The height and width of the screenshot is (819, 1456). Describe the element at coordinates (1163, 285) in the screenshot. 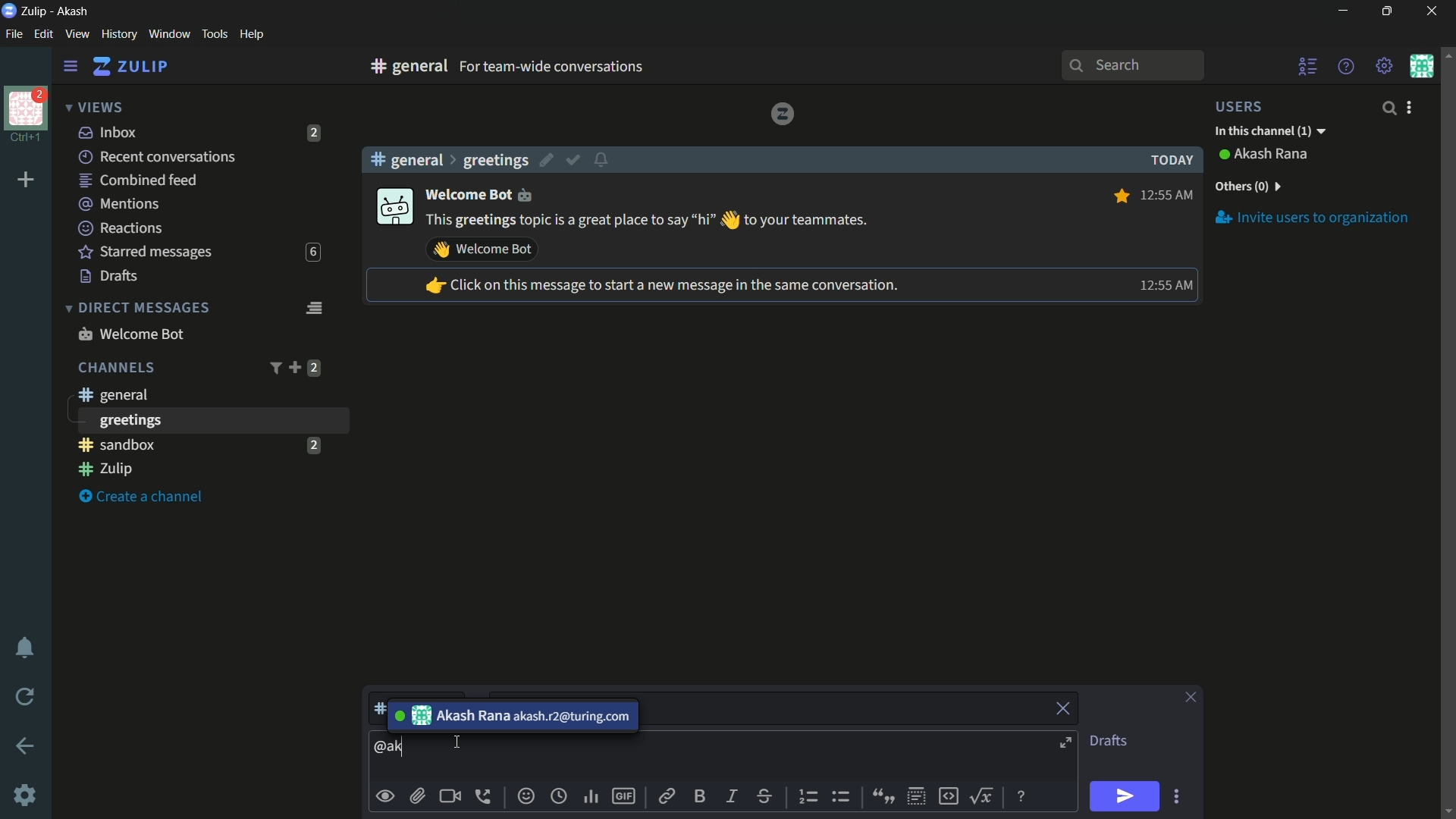

I see `12: 55 AM` at that location.